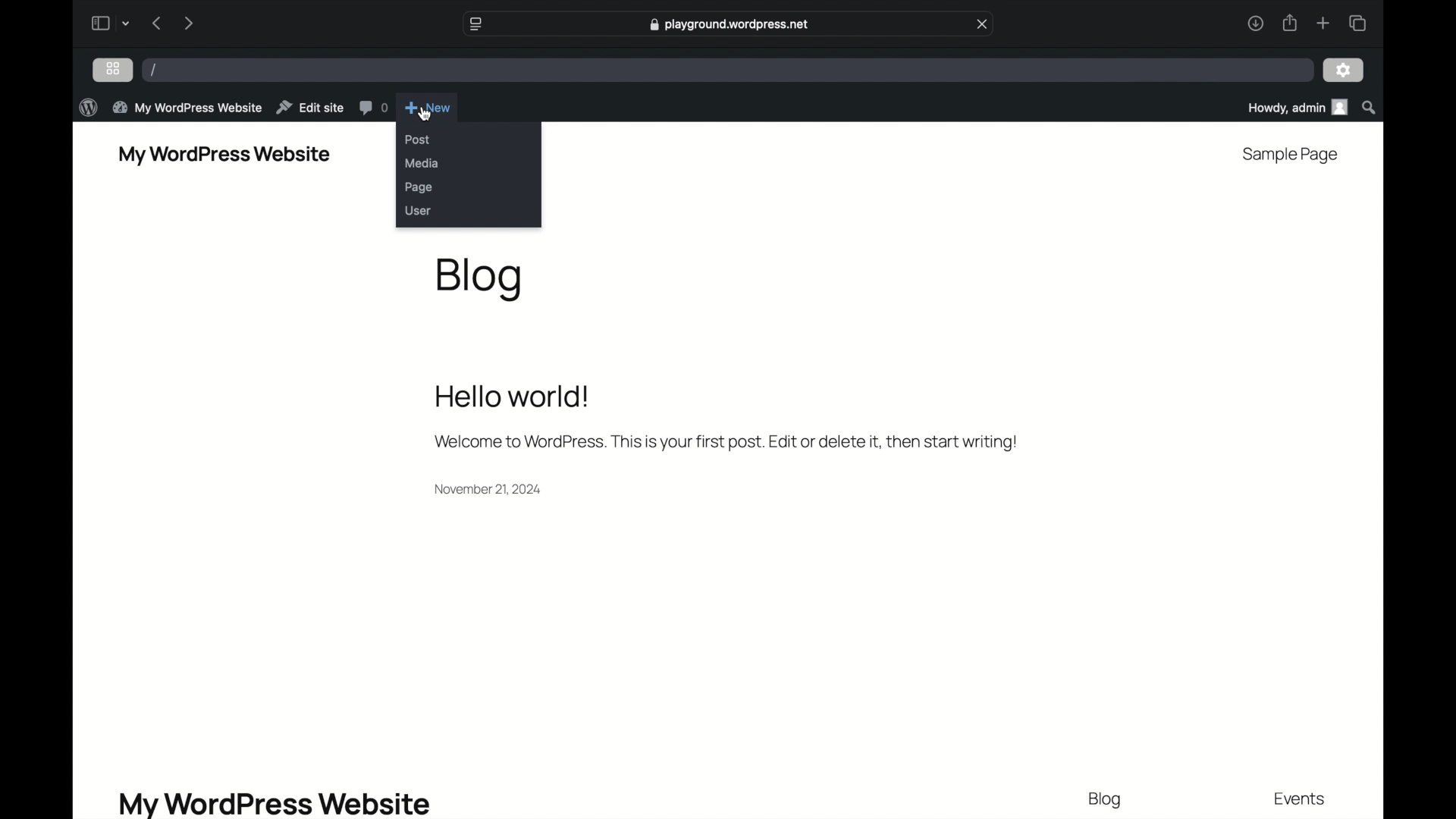  I want to click on blog, so click(1106, 800).